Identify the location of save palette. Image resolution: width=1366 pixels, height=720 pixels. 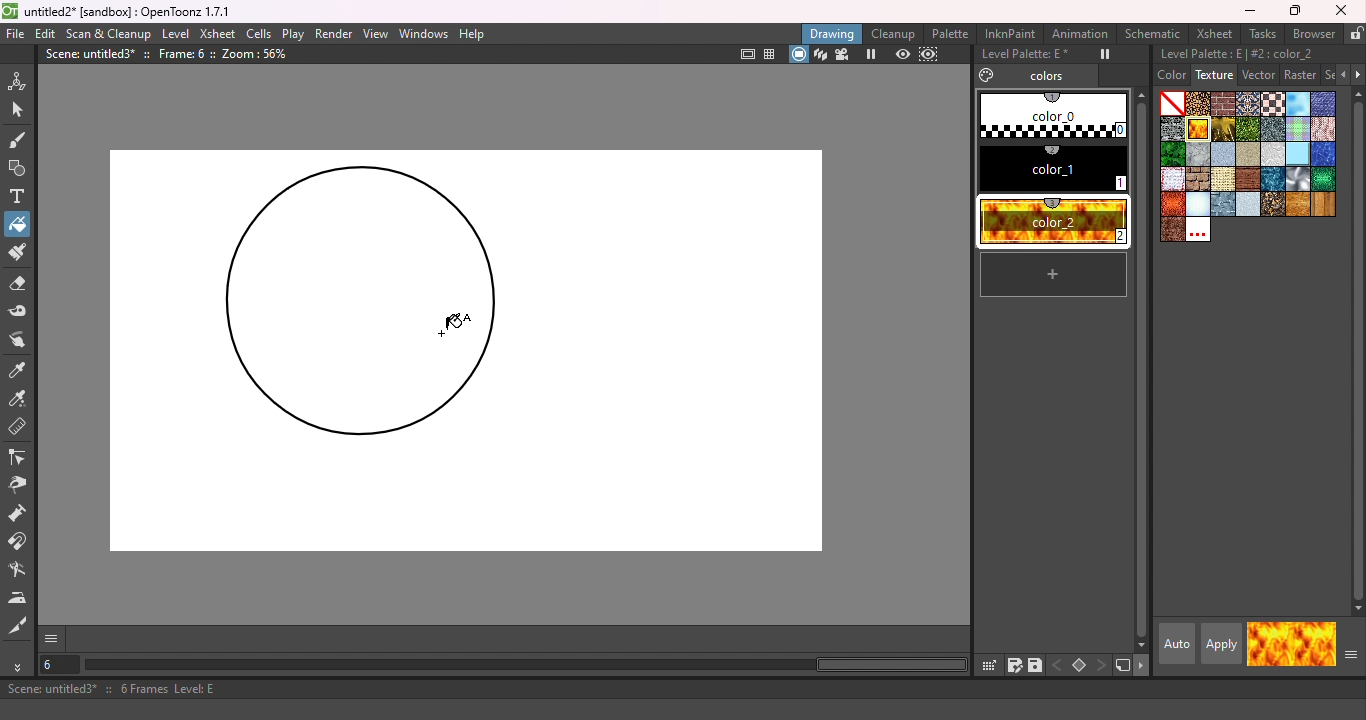
(1036, 665).